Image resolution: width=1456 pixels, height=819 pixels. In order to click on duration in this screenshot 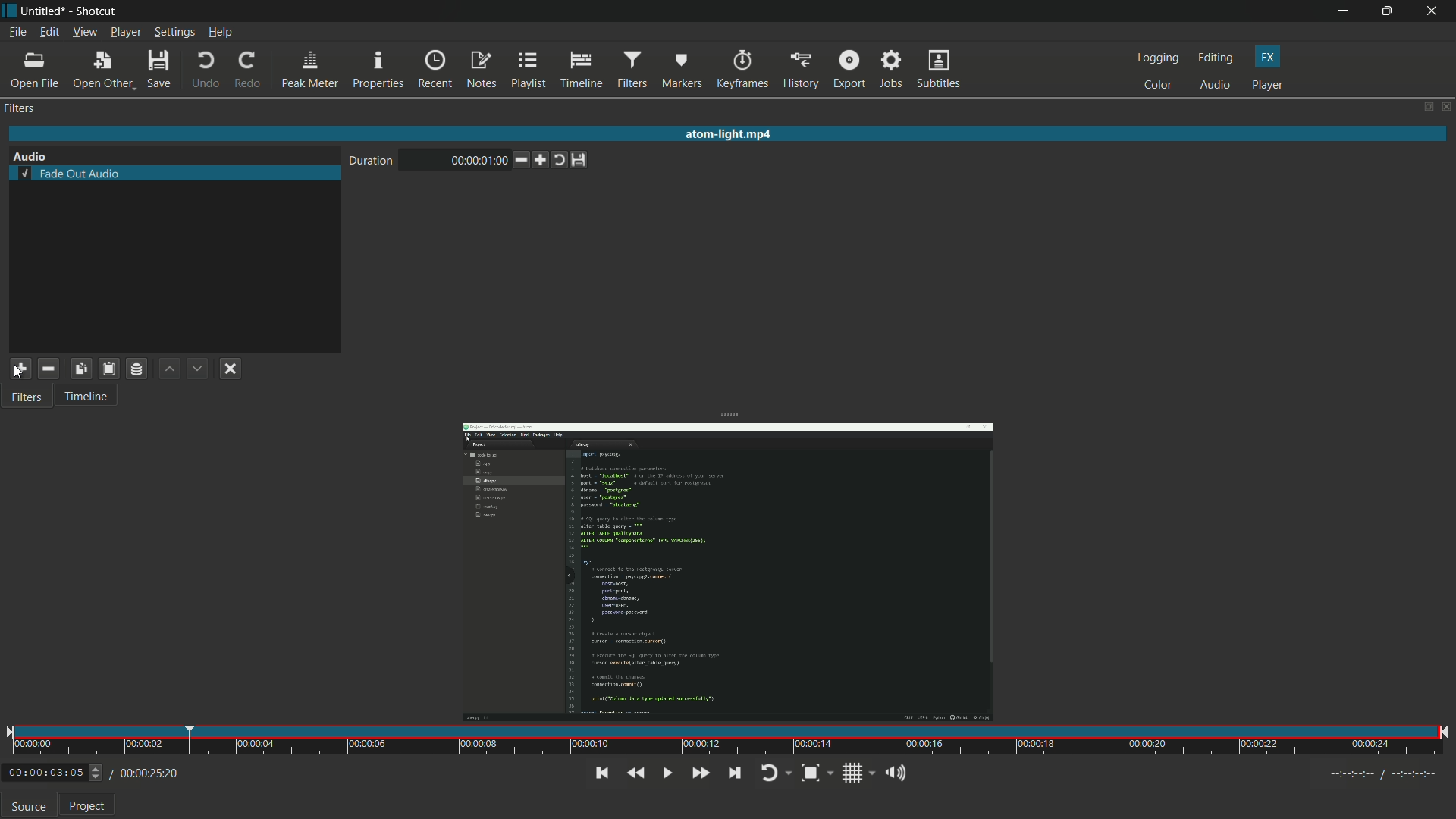, I will do `click(375, 162)`.